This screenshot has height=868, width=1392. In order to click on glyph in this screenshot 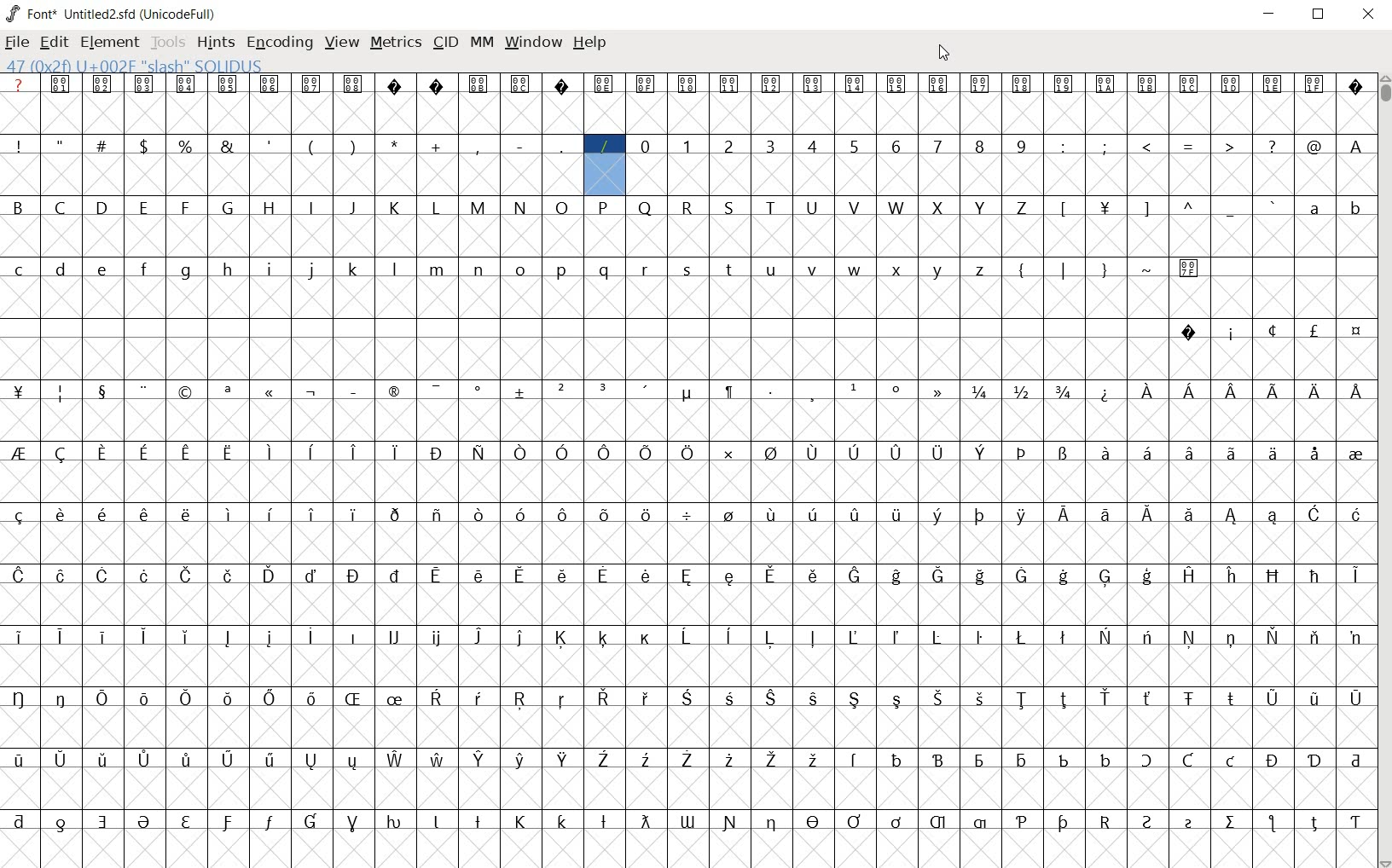, I will do `click(1064, 761)`.